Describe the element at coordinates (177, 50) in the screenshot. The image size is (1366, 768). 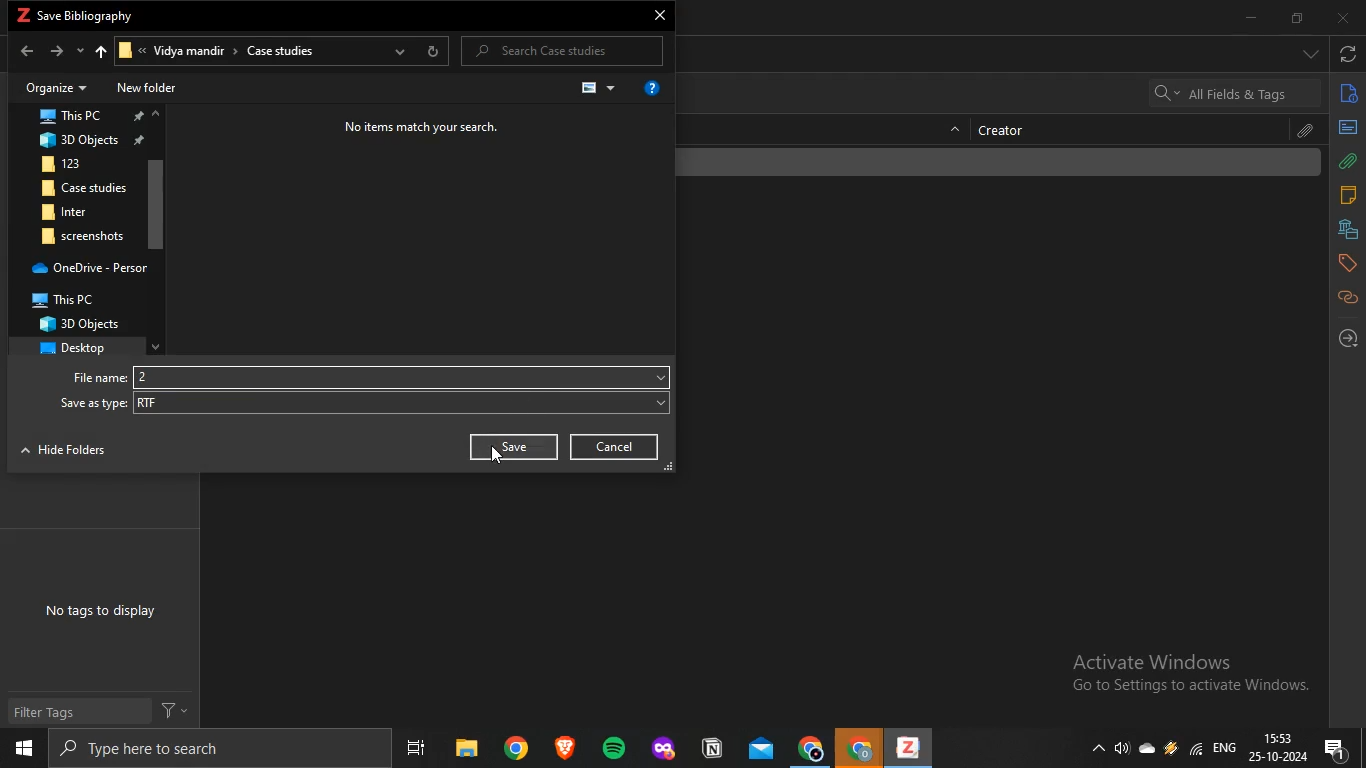
I see `Vidya mandir >` at that location.